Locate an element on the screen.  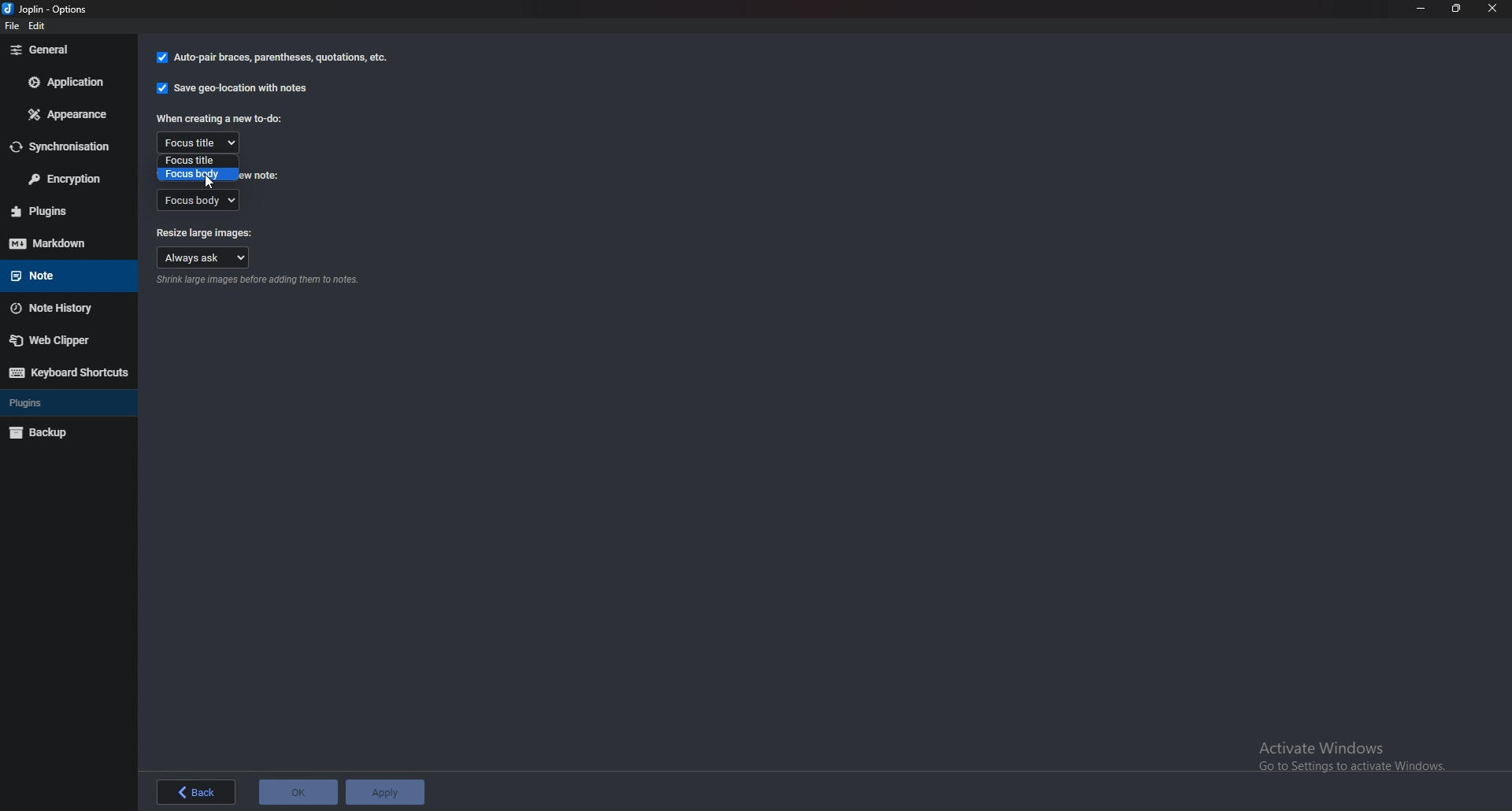
close is located at coordinates (1492, 9).